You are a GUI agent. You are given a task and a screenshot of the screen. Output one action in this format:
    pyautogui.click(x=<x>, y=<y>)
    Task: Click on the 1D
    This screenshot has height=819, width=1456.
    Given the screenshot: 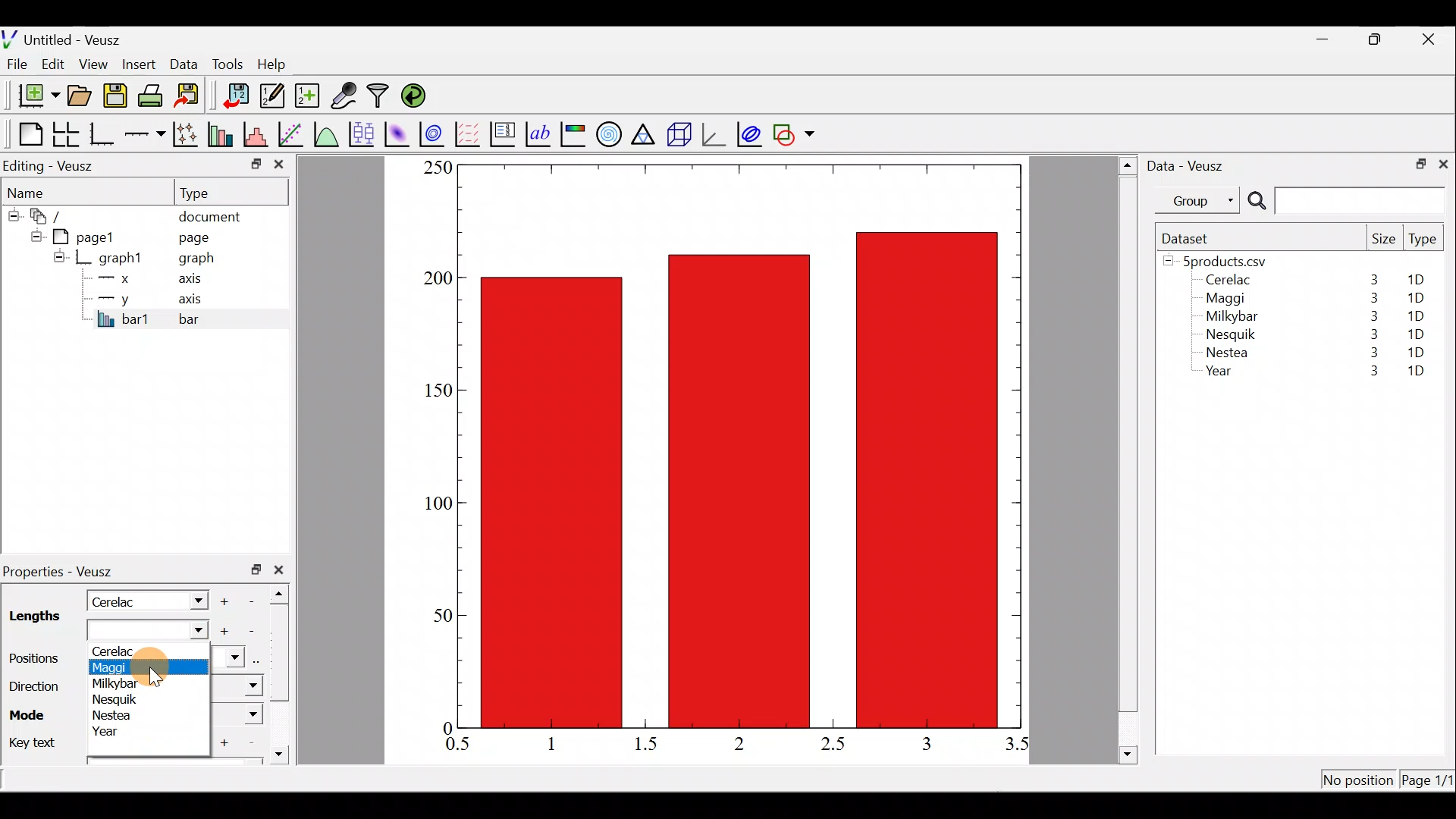 What is the action you would take?
    pyautogui.click(x=1412, y=315)
    